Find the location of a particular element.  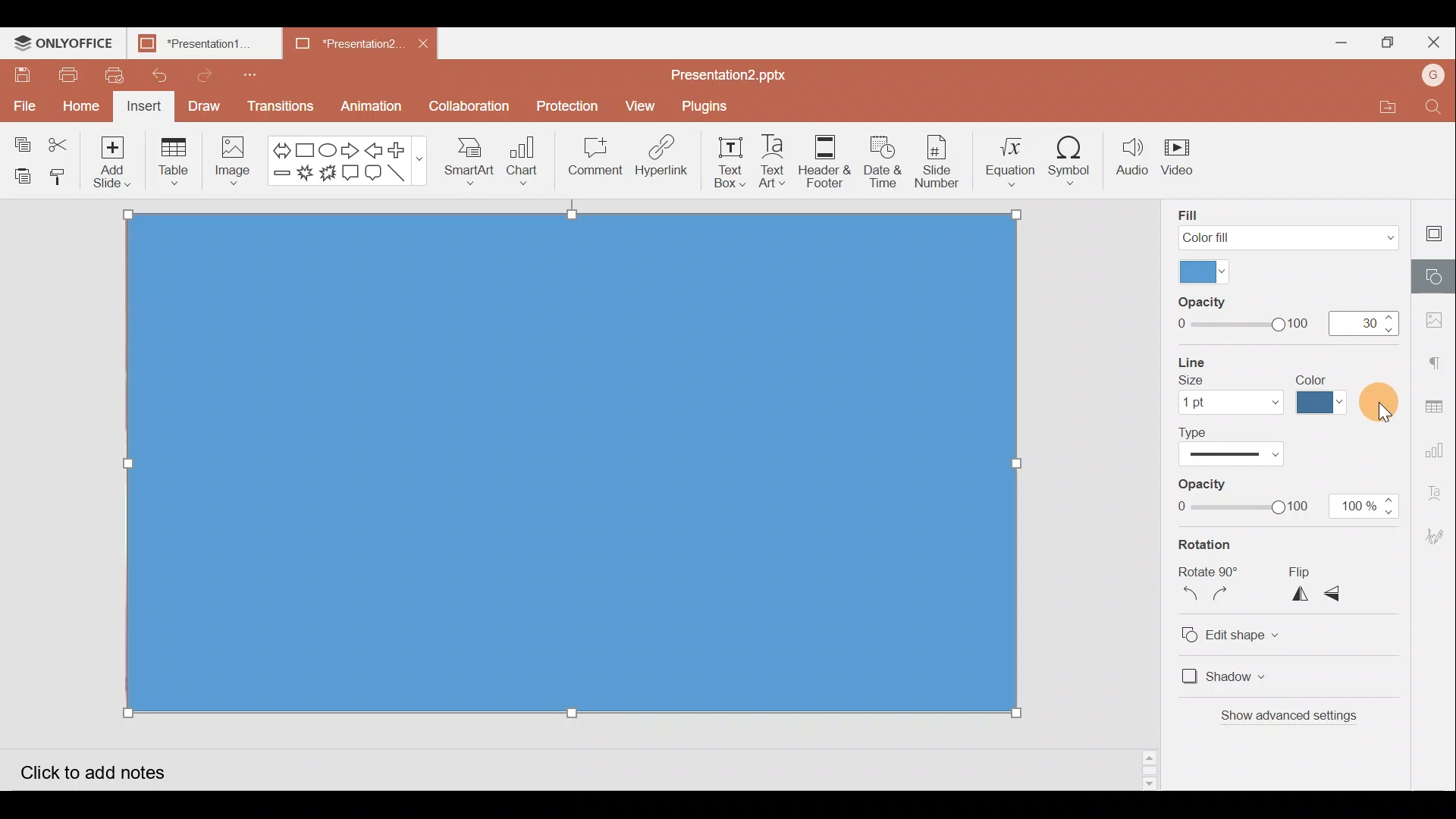

File is located at coordinates (23, 102).